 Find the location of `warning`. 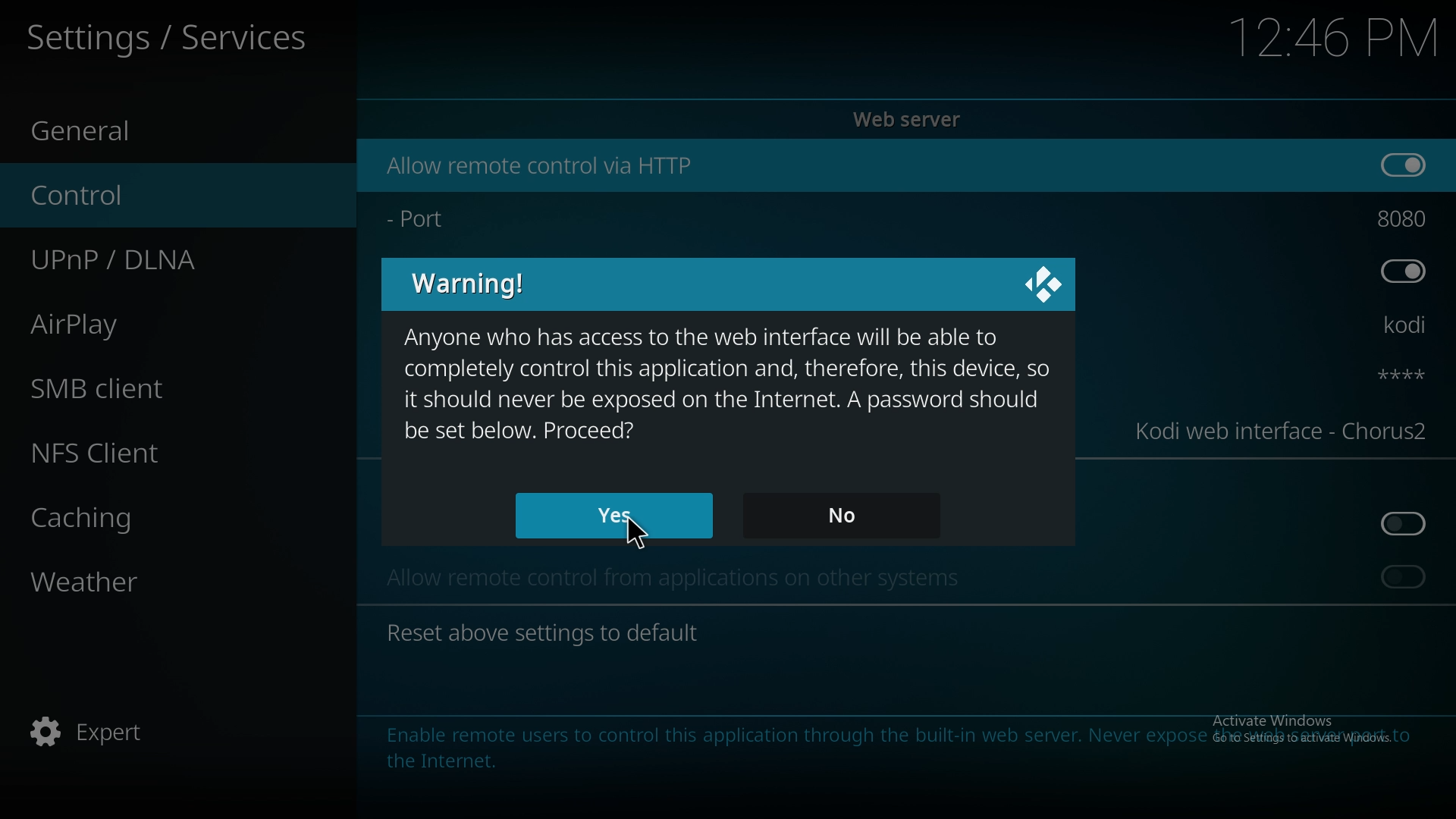

warning is located at coordinates (475, 282).